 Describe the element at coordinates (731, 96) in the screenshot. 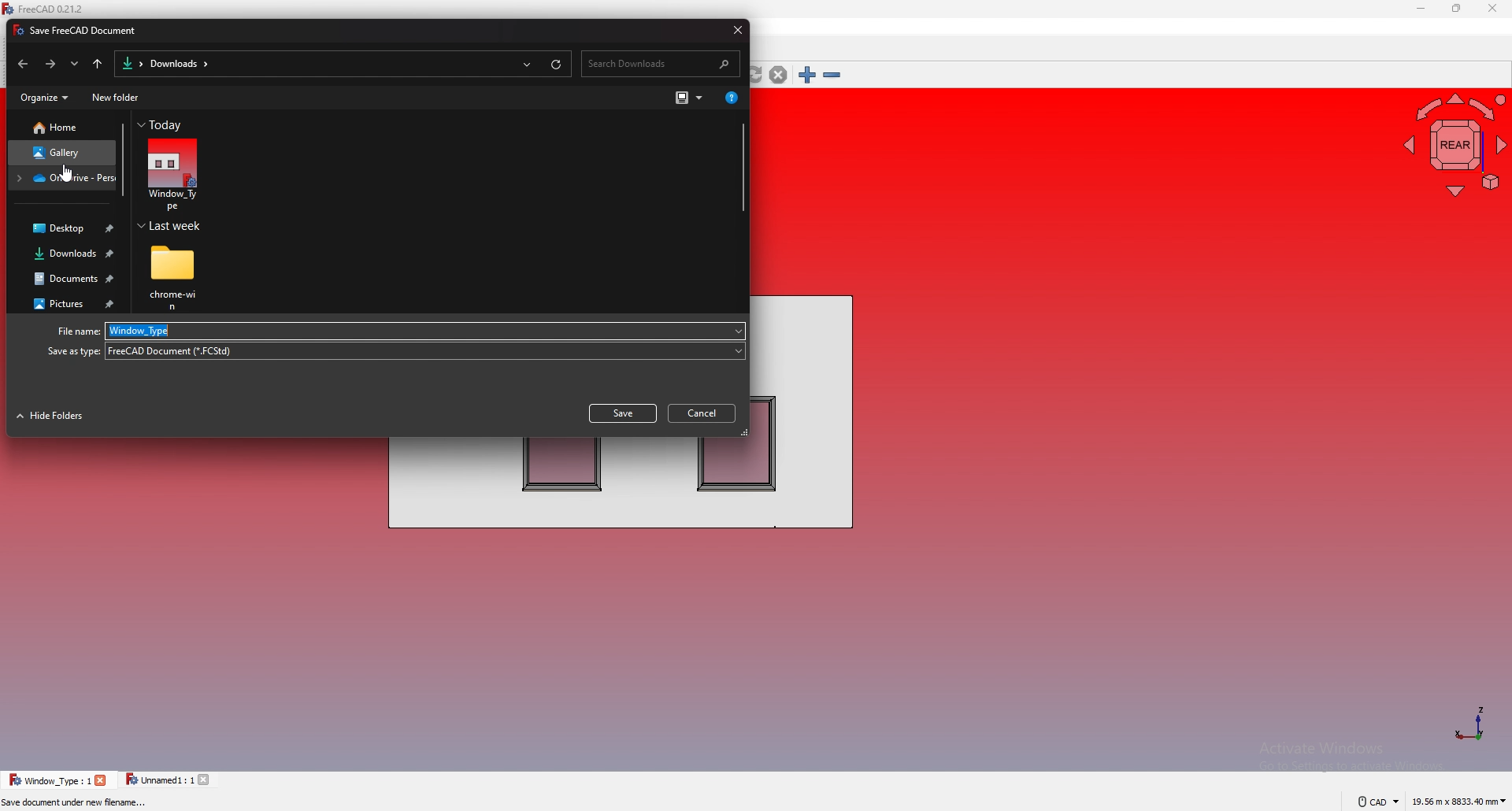

I see `get help` at that location.